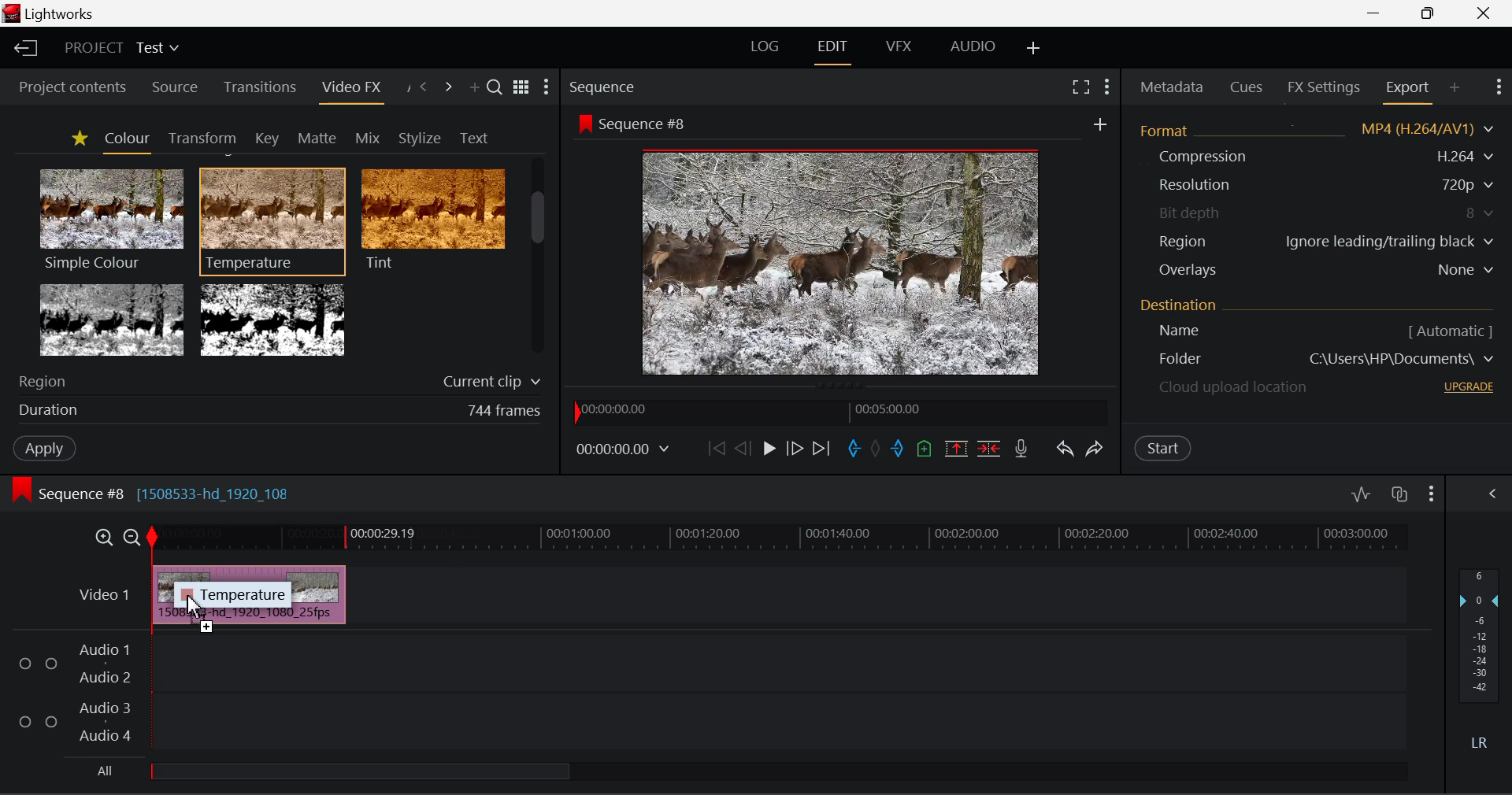 This screenshot has width=1512, height=795. What do you see at coordinates (743, 449) in the screenshot?
I see `Go Back` at bounding box center [743, 449].